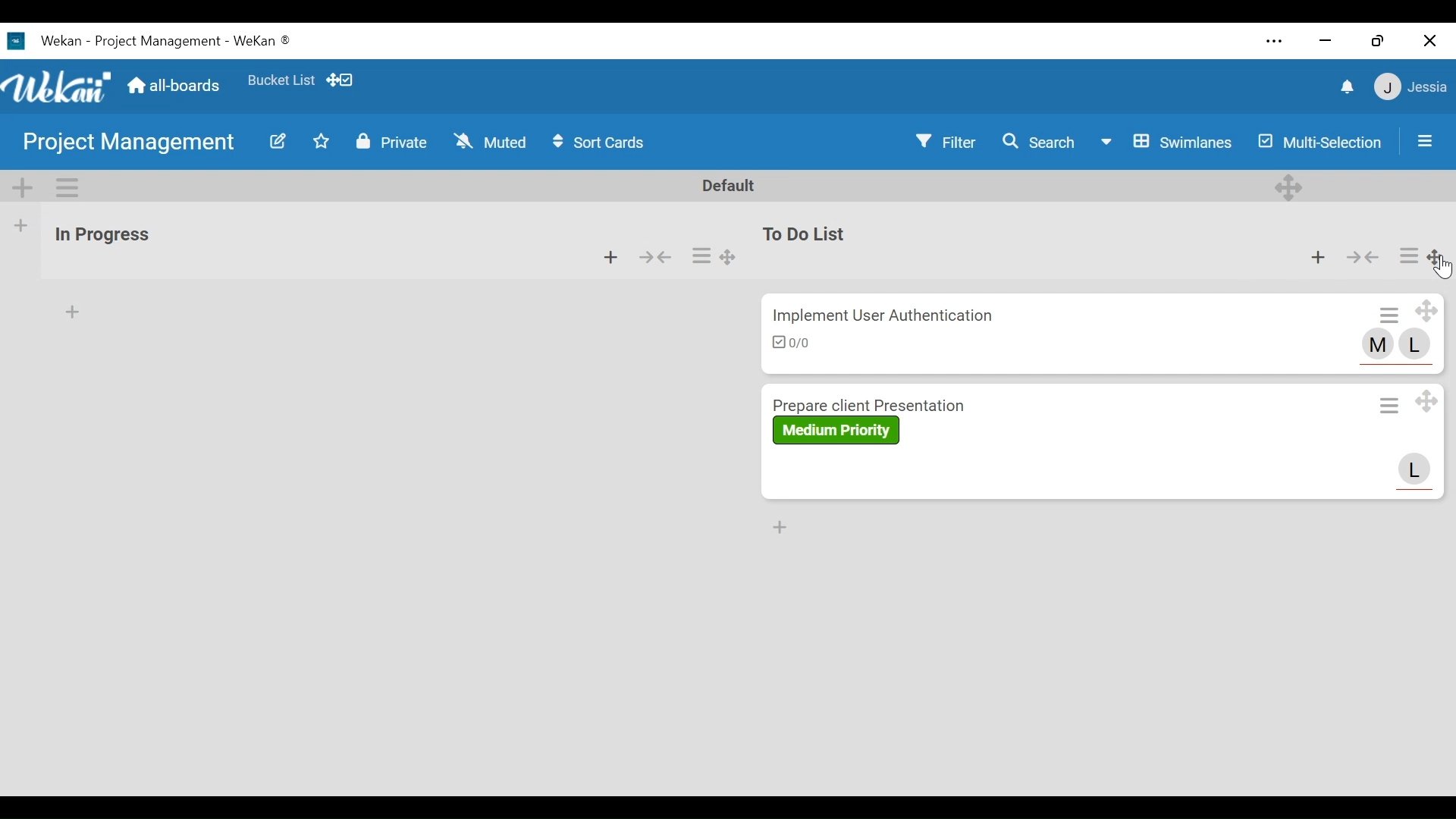 This screenshot has height=819, width=1456. What do you see at coordinates (17, 42) in the screenshot?
I see `Wekan Desktop Icon` at bounding box center [17, 42].